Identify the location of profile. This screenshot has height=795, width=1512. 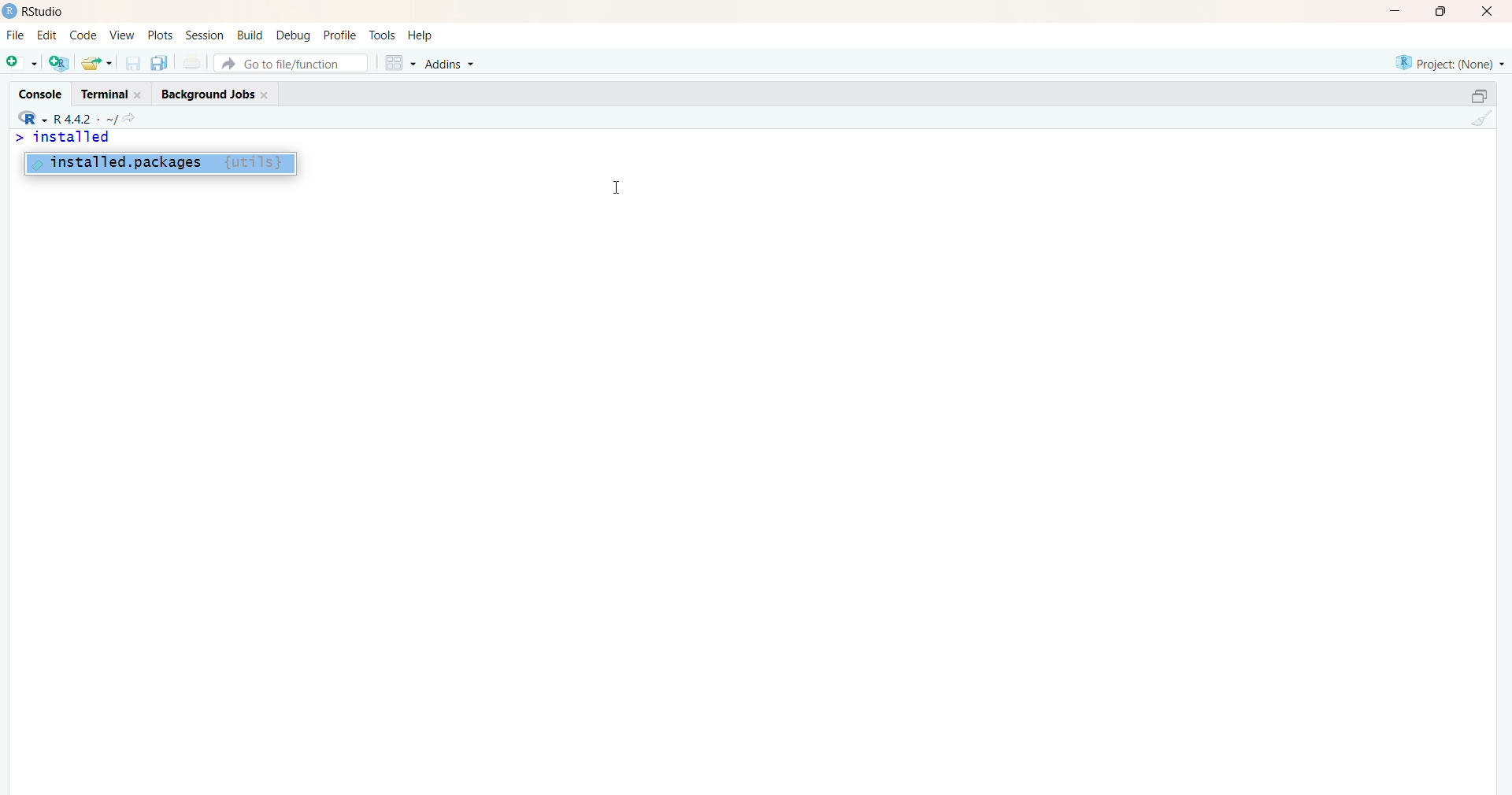
(341, 35).